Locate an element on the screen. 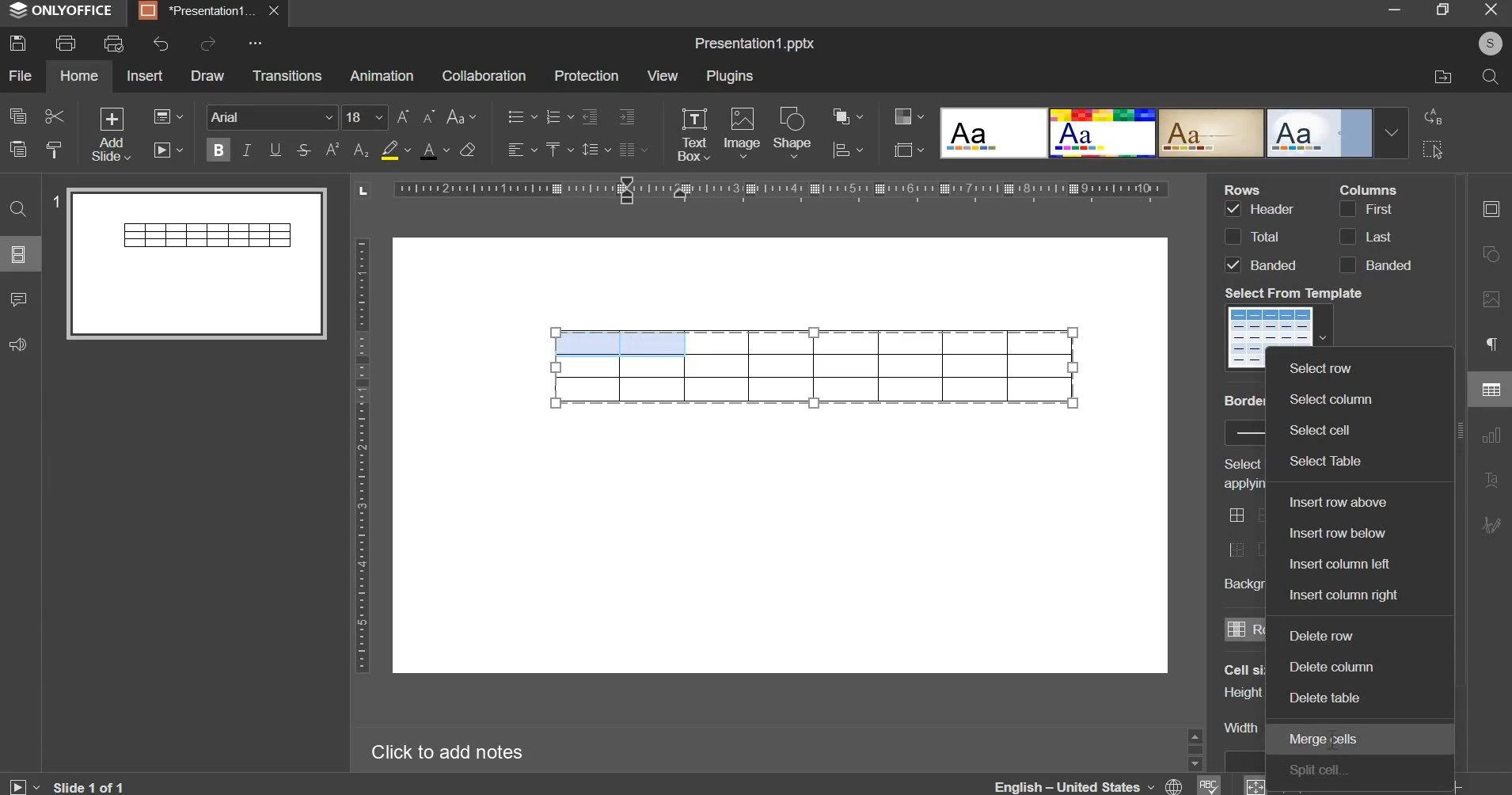 Image resolution: width=1512 pixels, height=795 pixels. paste is located at coordinates (17, 147).